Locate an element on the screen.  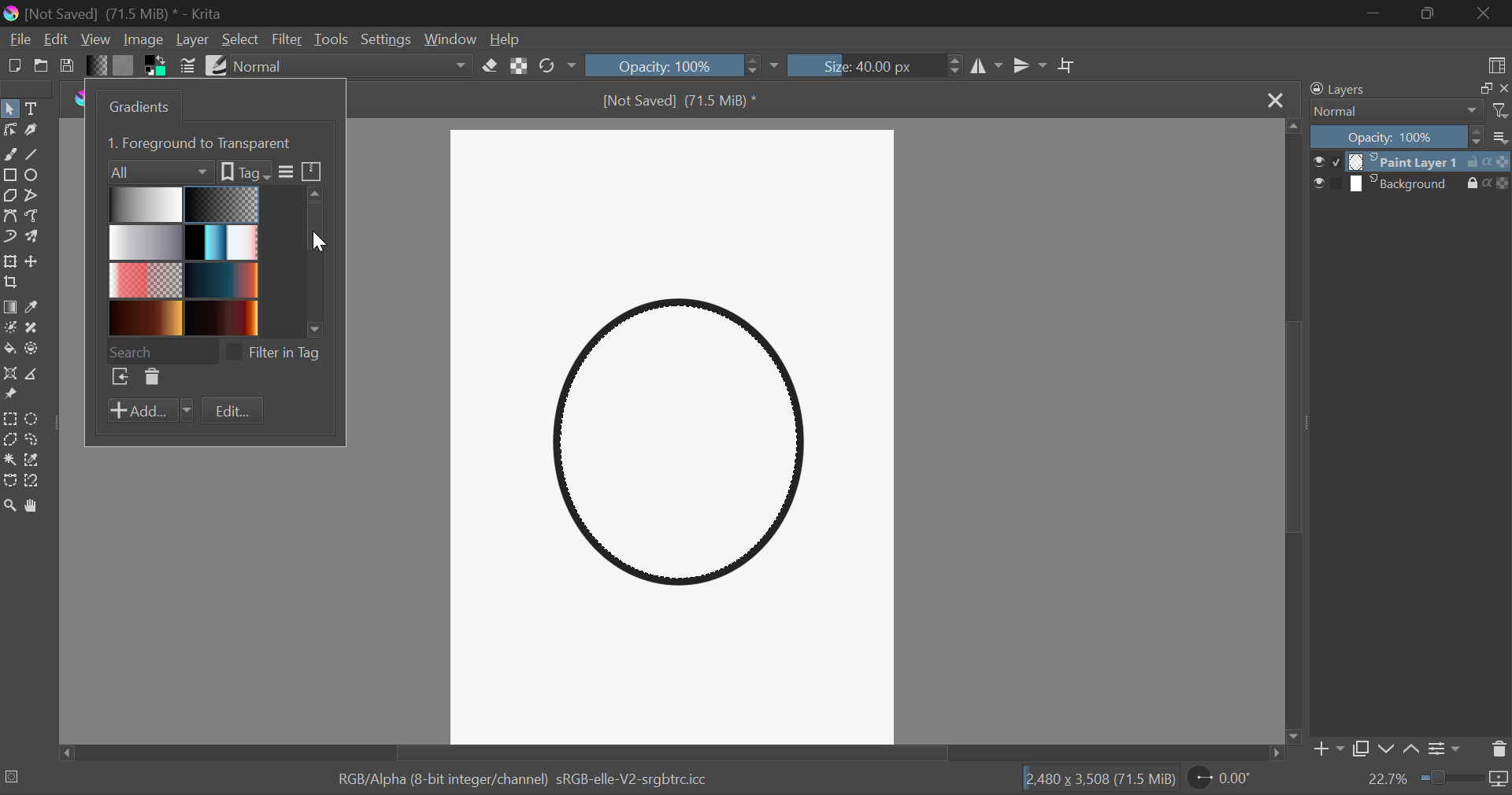
Settings is located at coordinates (384, 39).